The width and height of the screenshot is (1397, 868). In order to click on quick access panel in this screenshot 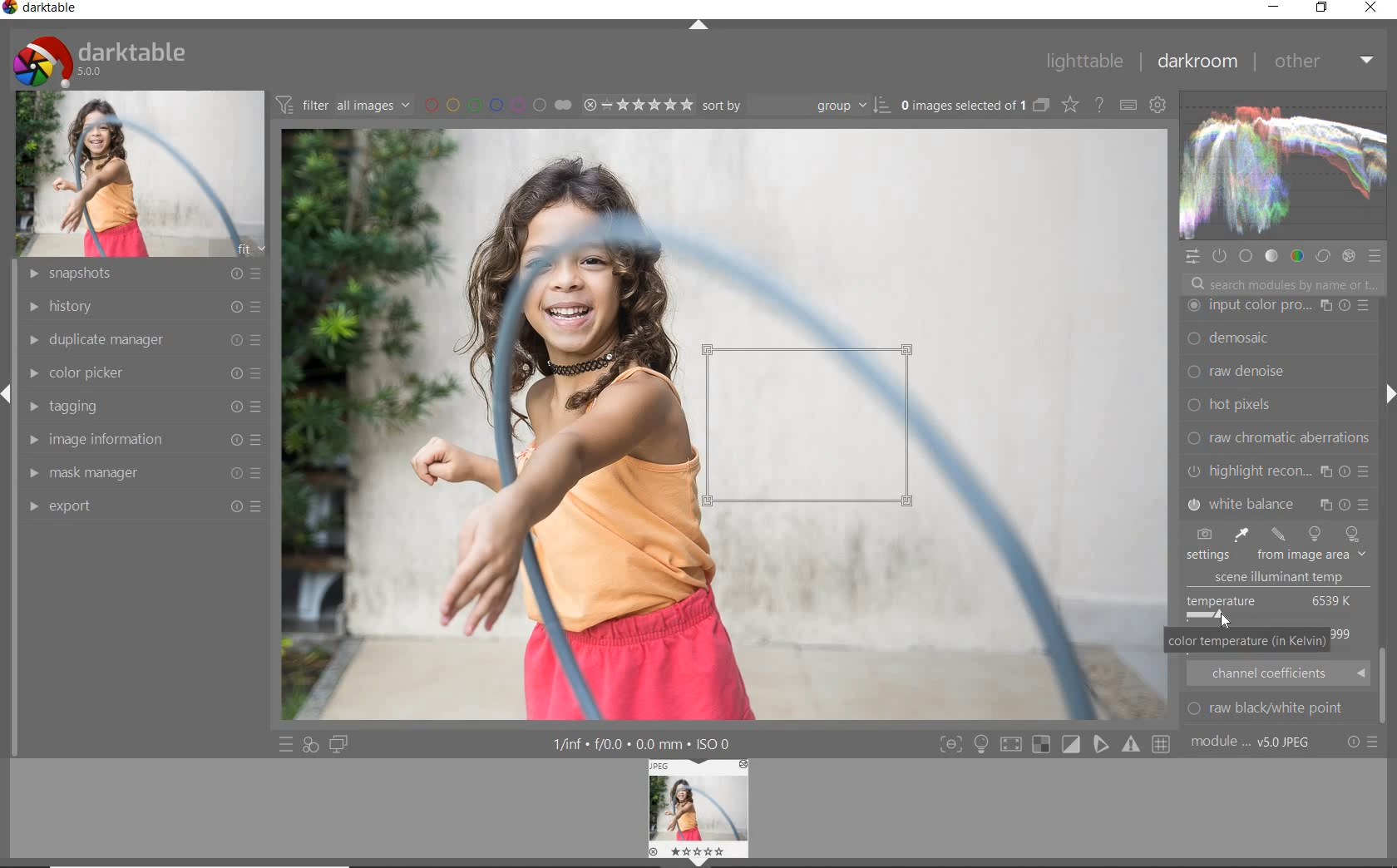, I will do `click(1193, 257)`.